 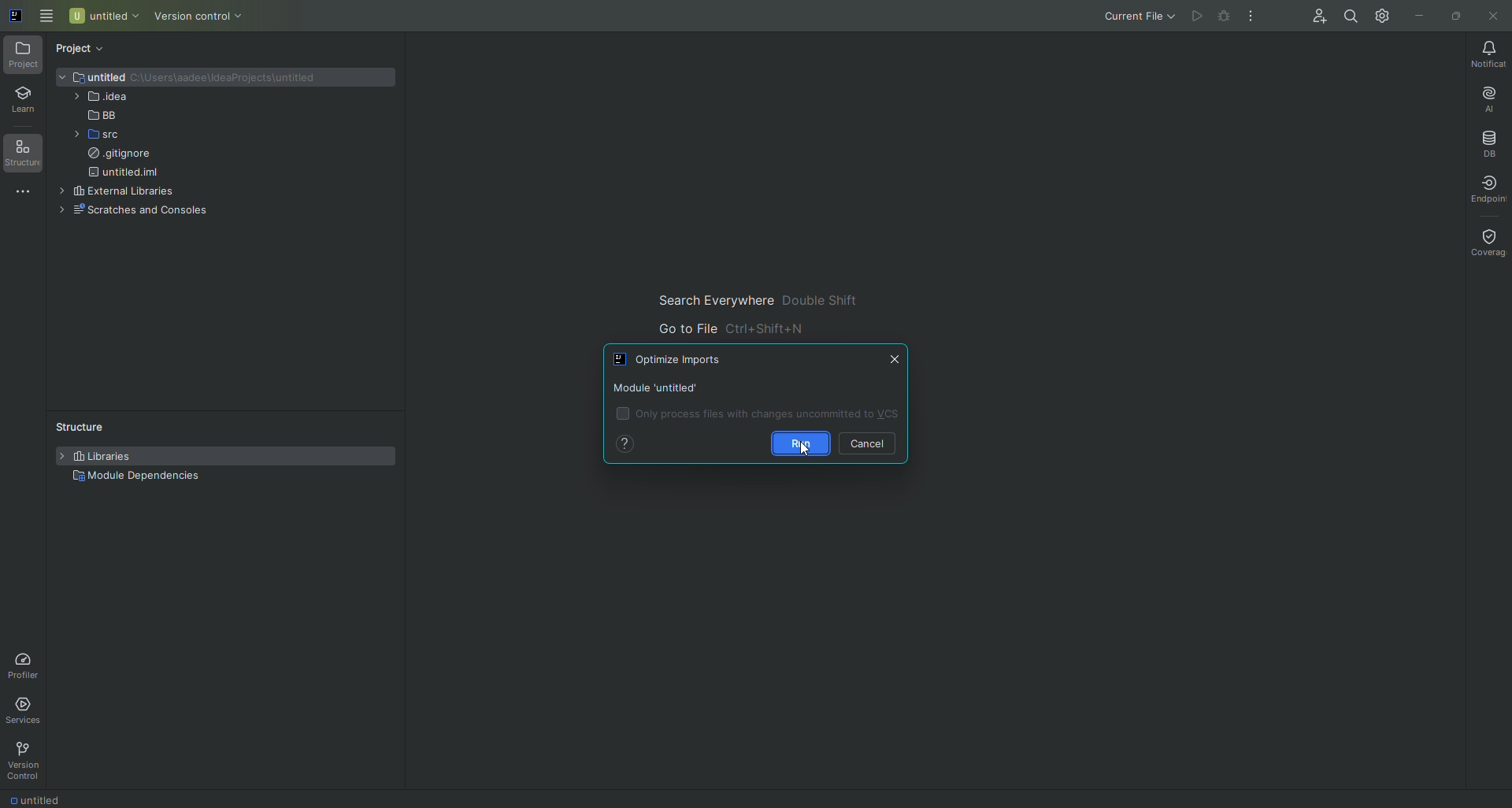 I want to click on Module Dependencies, so click(x=138, y=477).